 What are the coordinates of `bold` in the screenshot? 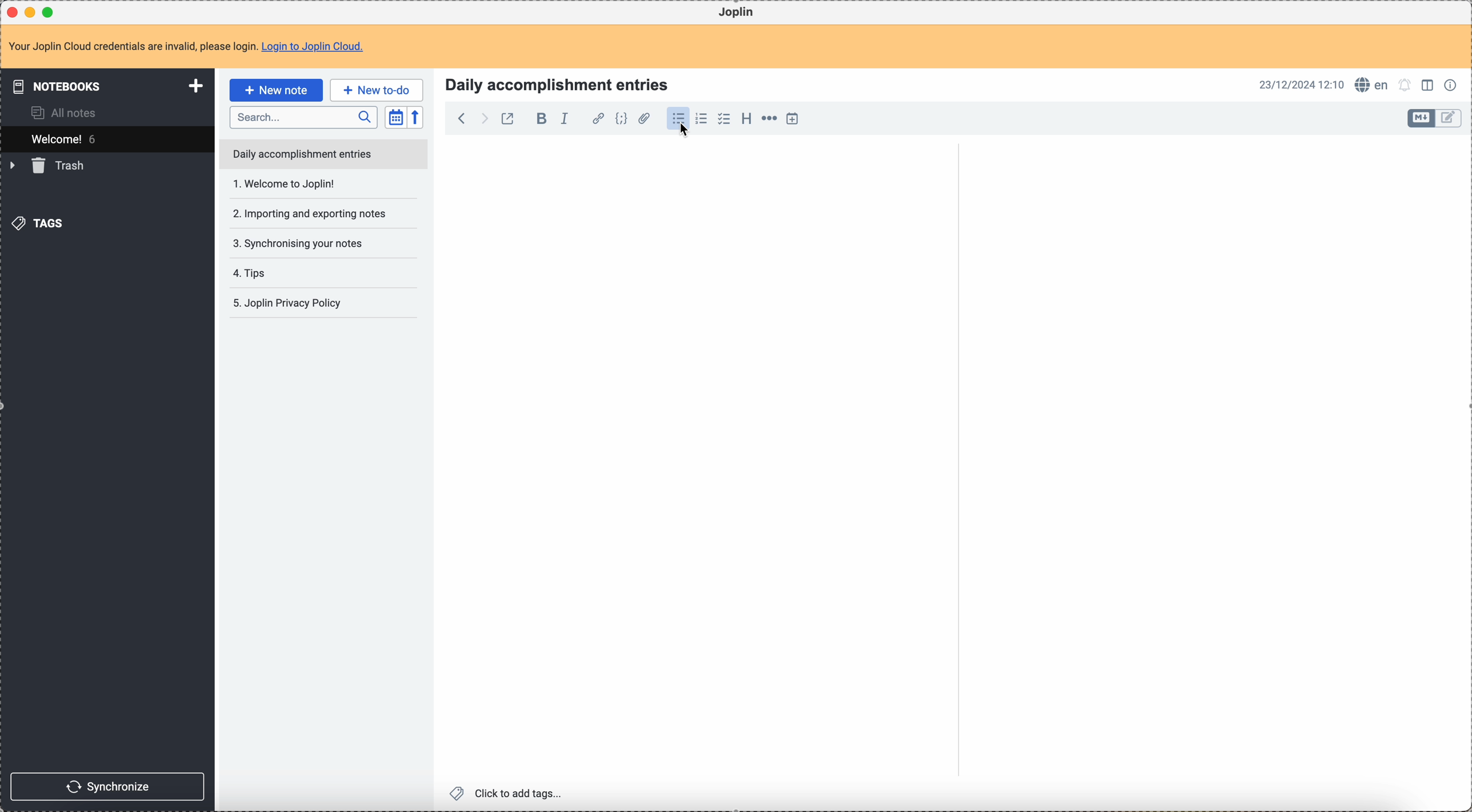 It's located at (538, 119).